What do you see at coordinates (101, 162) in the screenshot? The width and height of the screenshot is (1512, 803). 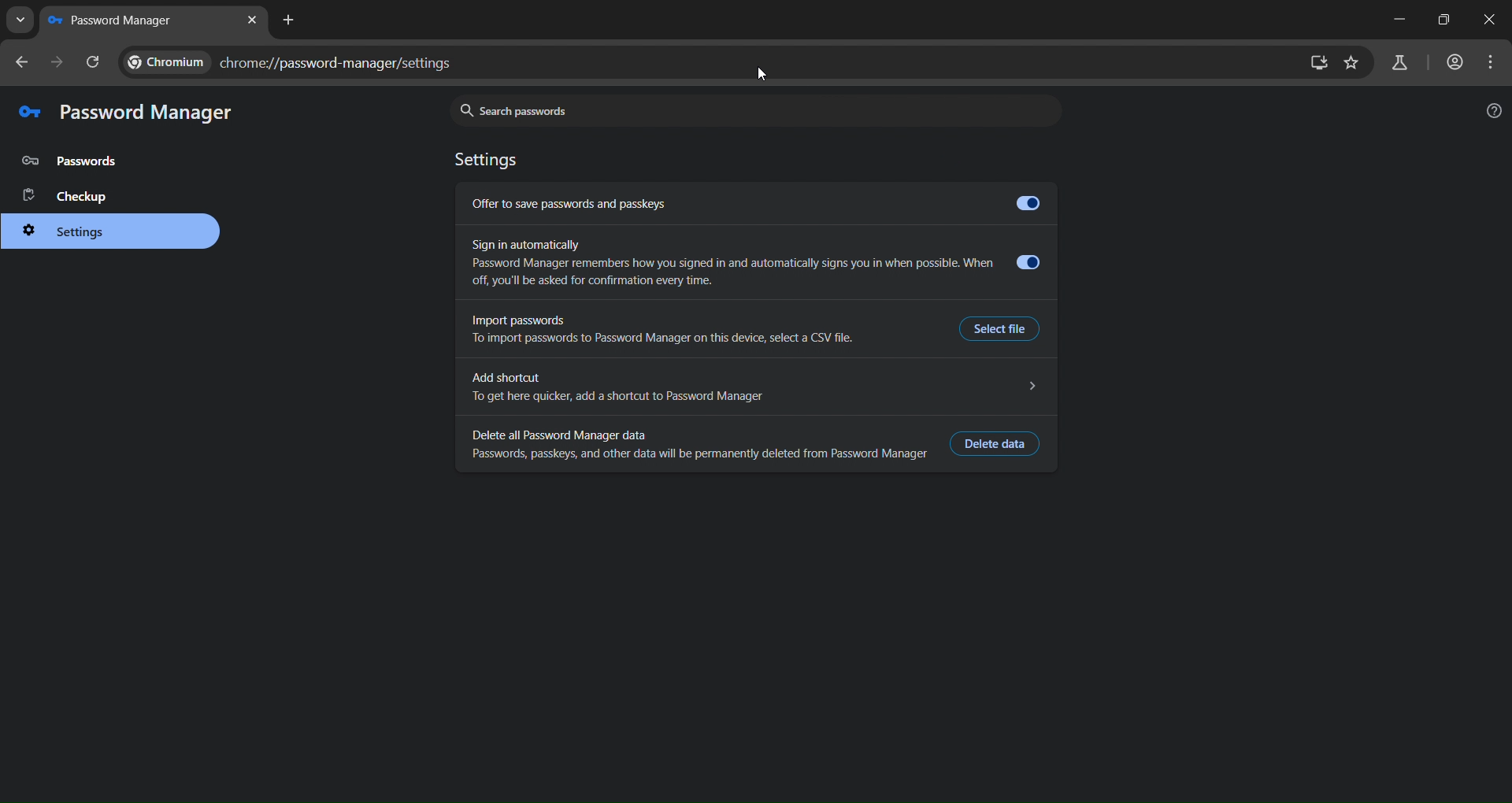 I see `password` at bounding box center [101, 162].